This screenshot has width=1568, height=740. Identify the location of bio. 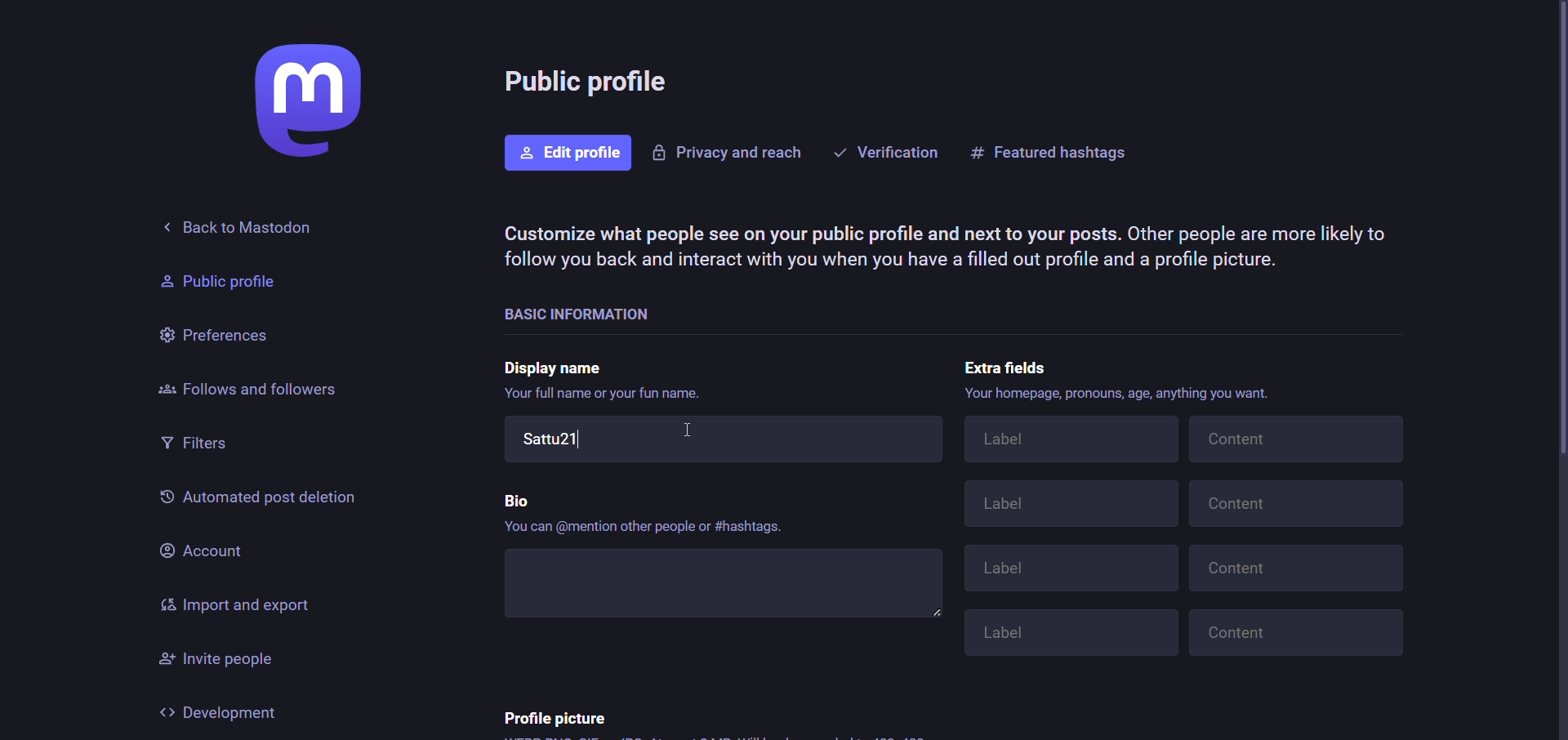
(515, 499).